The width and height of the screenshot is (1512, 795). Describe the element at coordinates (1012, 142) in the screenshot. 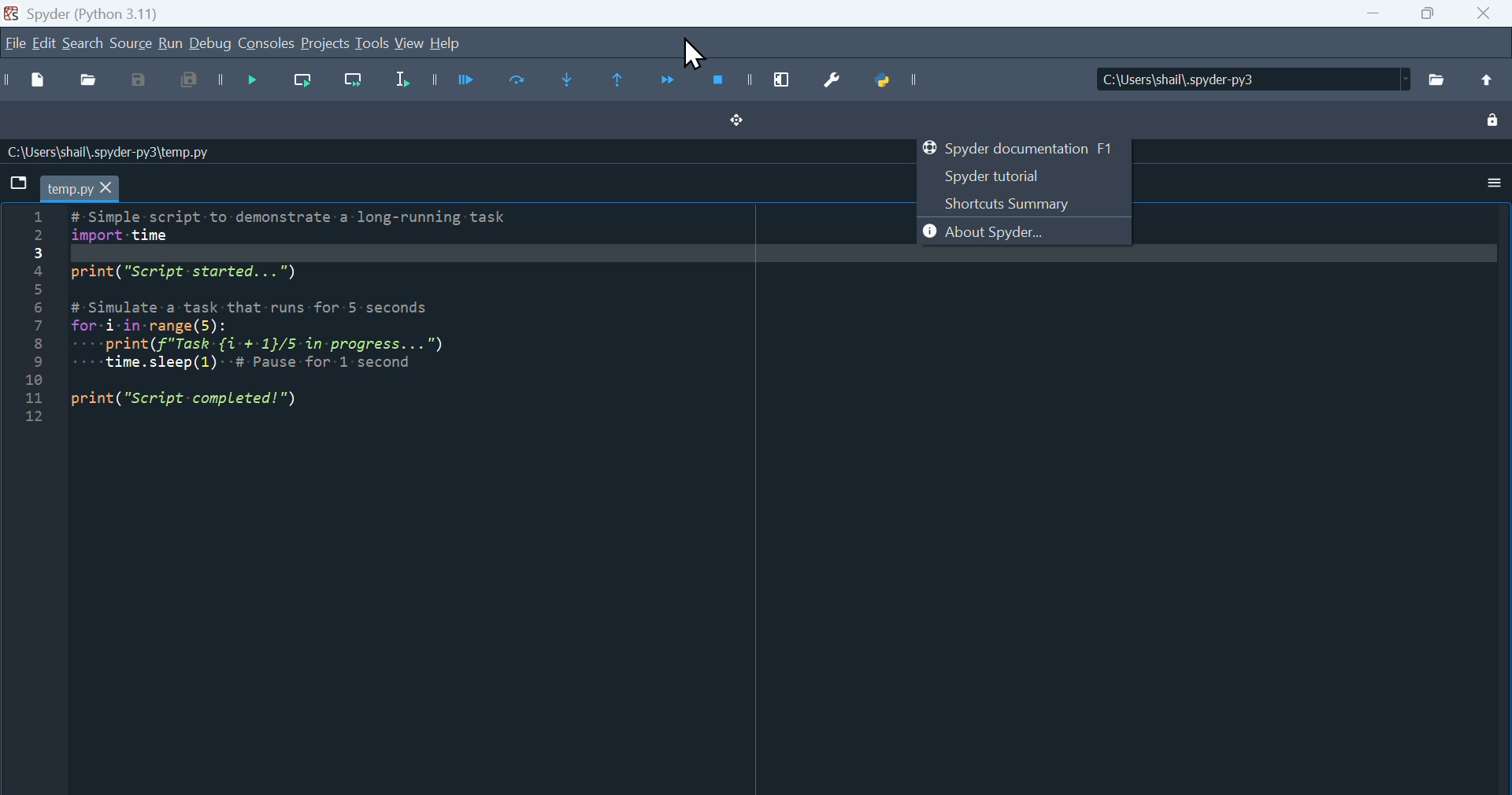

I see `Spyder documentation F1` at that location.